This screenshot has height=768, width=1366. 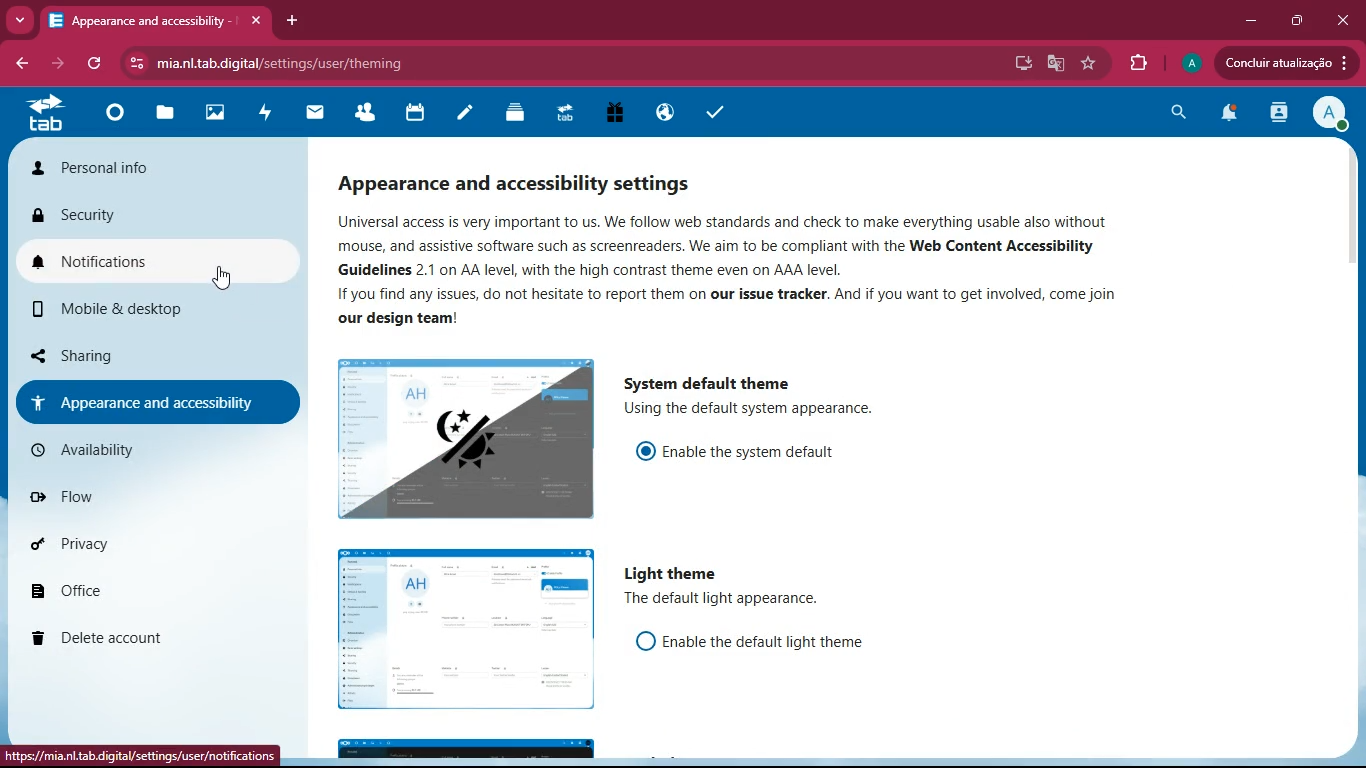 I want to click on activity, so click(x=266, y=118).